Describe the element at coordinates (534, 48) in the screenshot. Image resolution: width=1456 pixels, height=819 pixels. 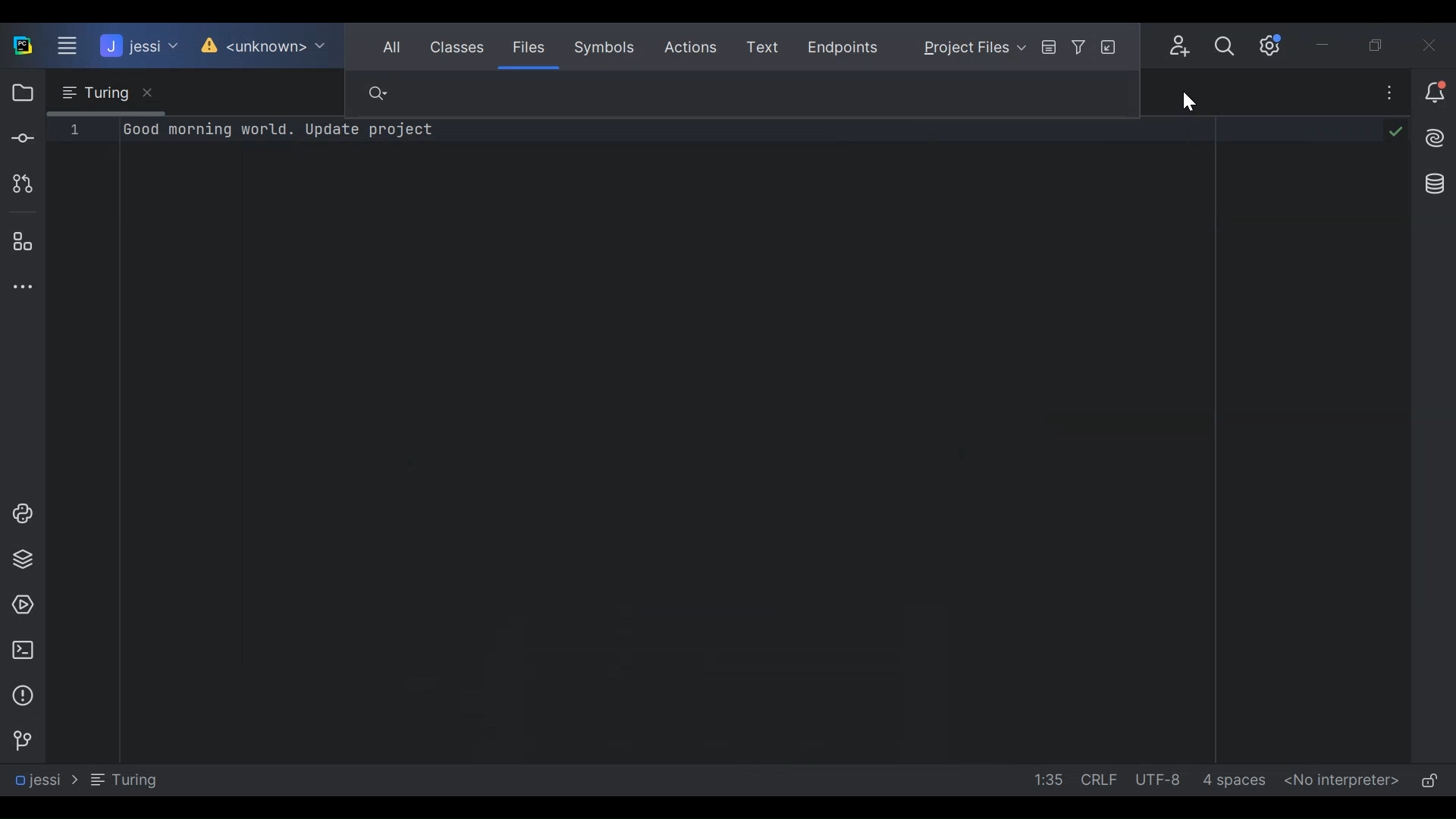
I see `Filees` at that location.